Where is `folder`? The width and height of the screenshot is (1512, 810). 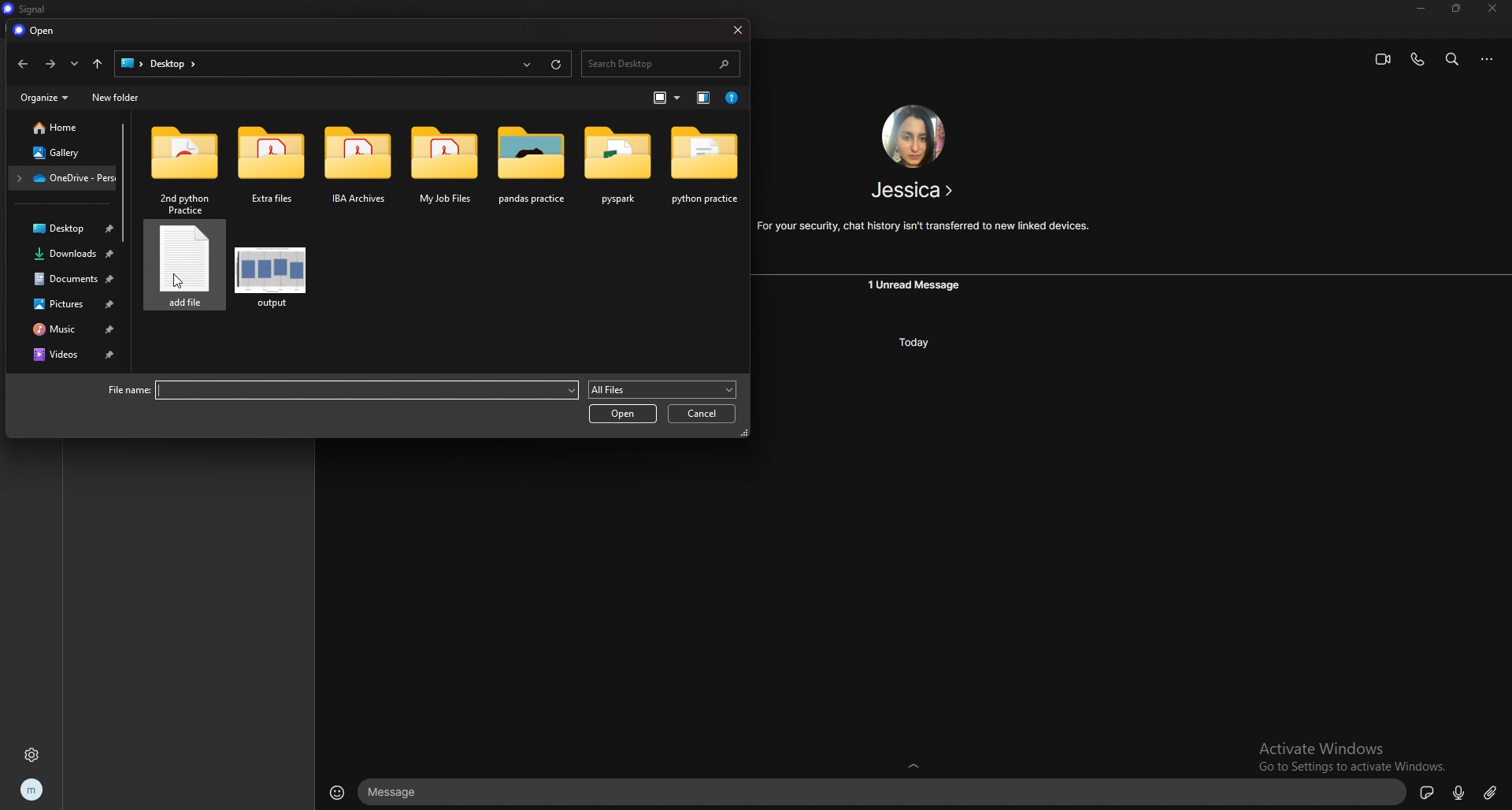 folder is located at coordinates (704, 169).